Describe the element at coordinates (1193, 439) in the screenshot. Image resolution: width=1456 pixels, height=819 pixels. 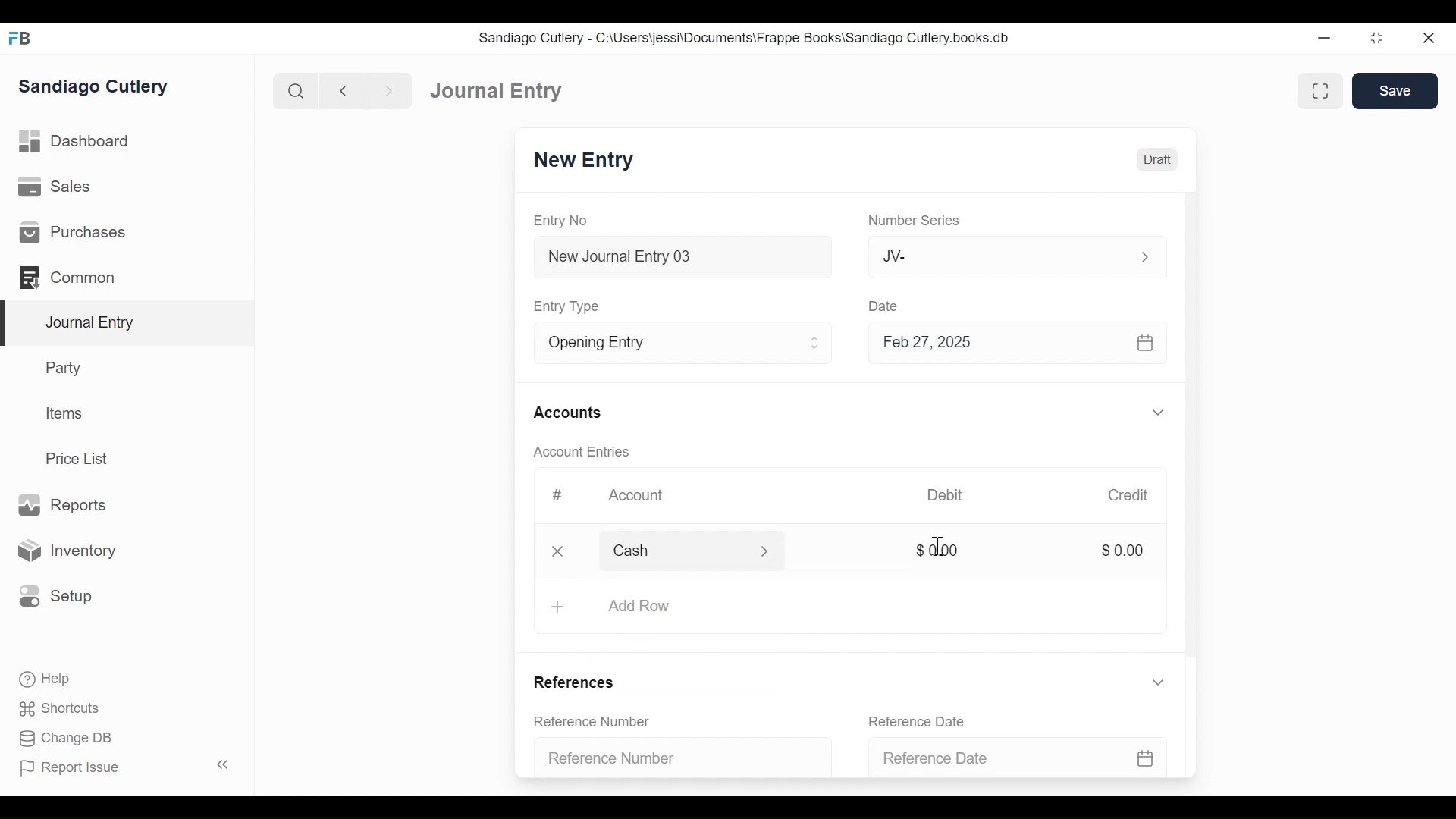
I see `Vertical Scroll bar` at that location.